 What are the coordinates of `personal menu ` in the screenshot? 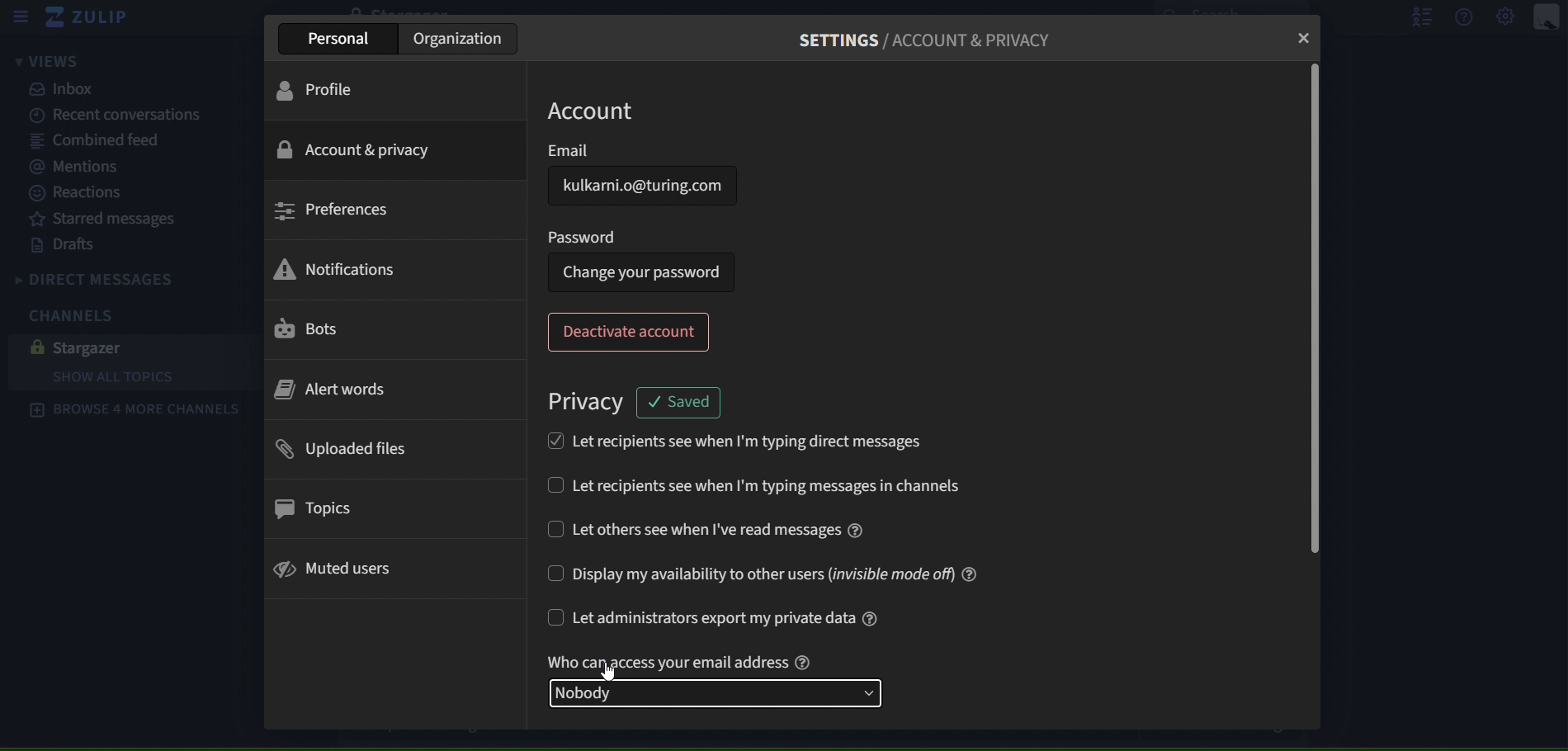 It's located at (1548, 18).